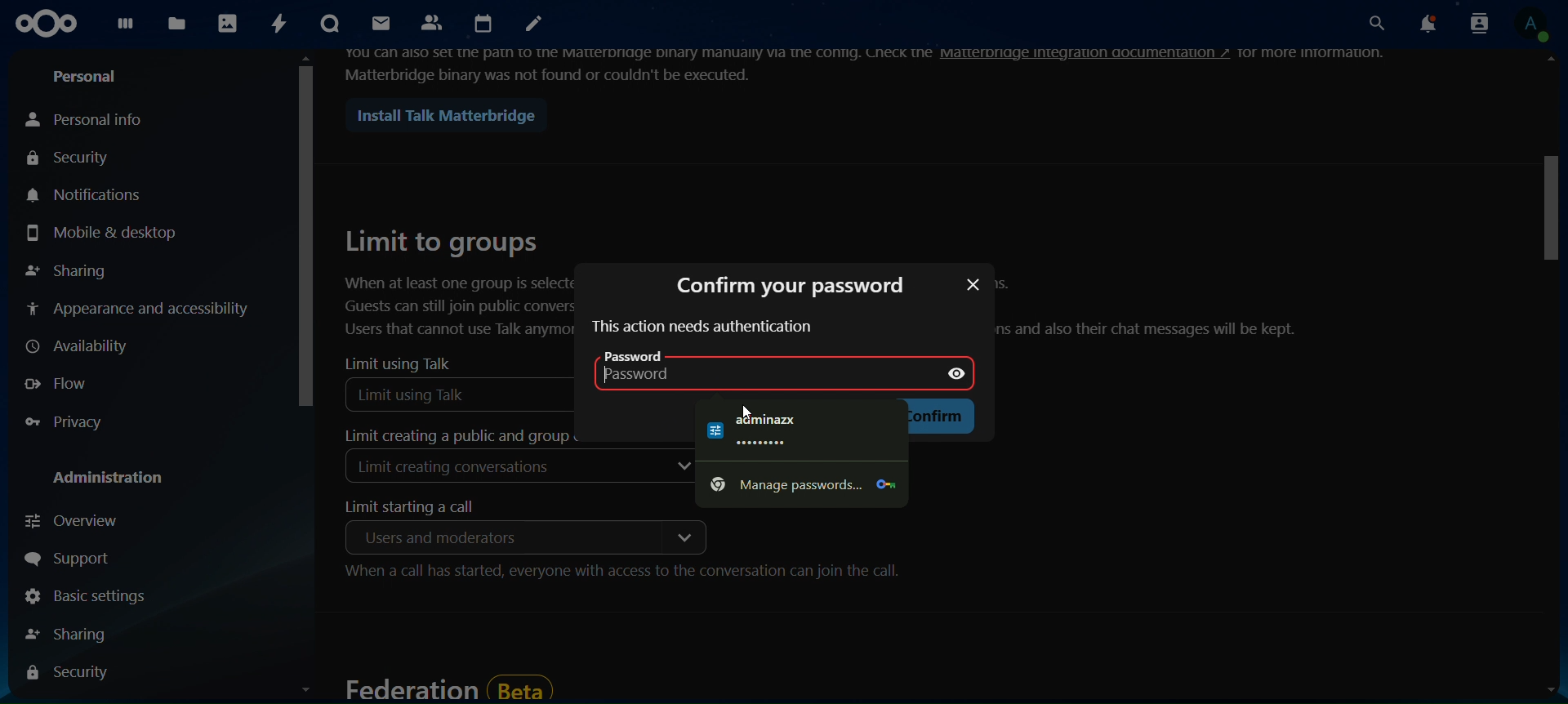 This screenshot has width=1568, height=704. Describe the element at coordinates (280, 23) in the screenshot. I see `activity` at that location.